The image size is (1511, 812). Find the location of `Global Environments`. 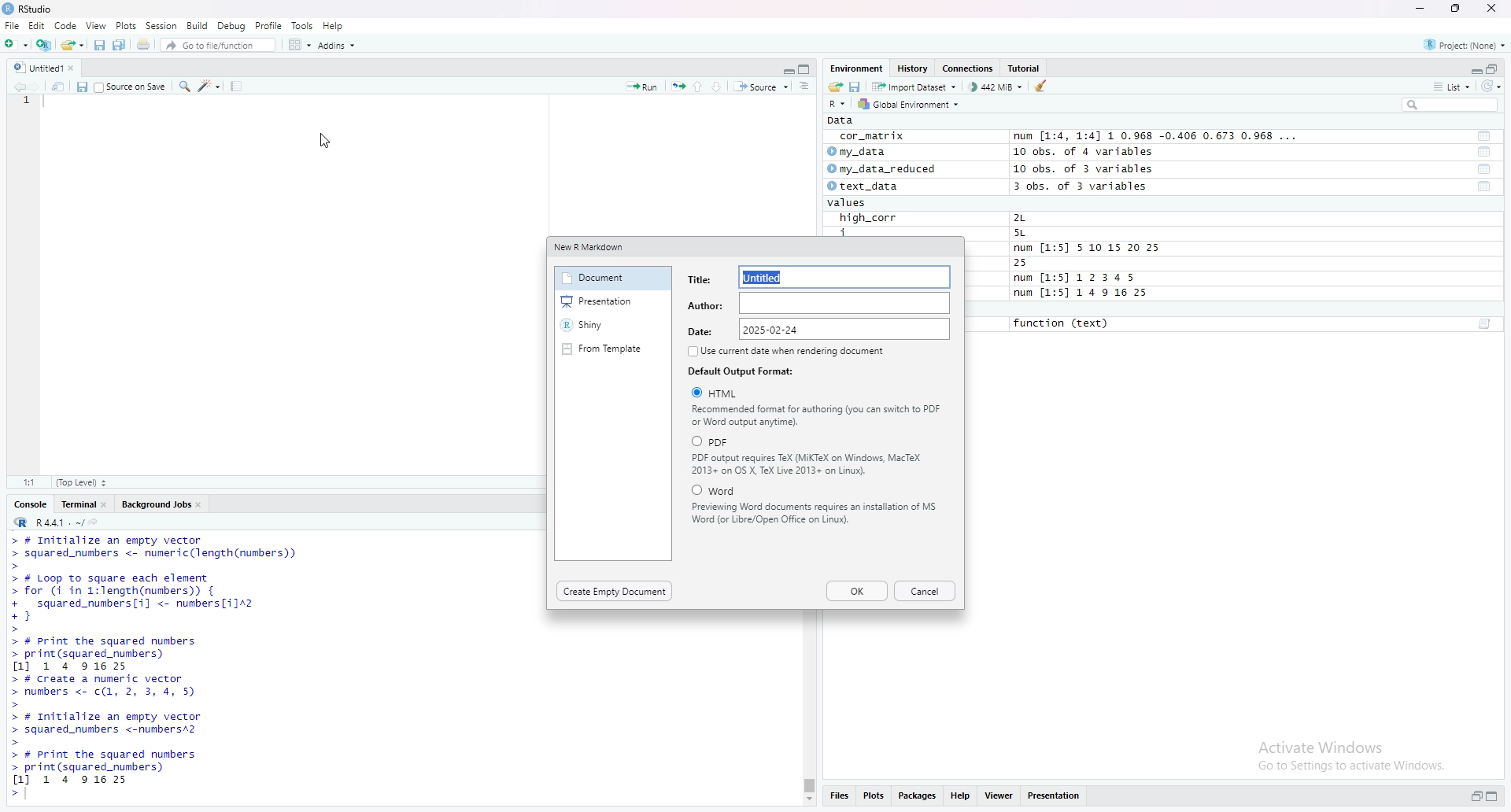

Global Environments is located at coordinates (907, 105).